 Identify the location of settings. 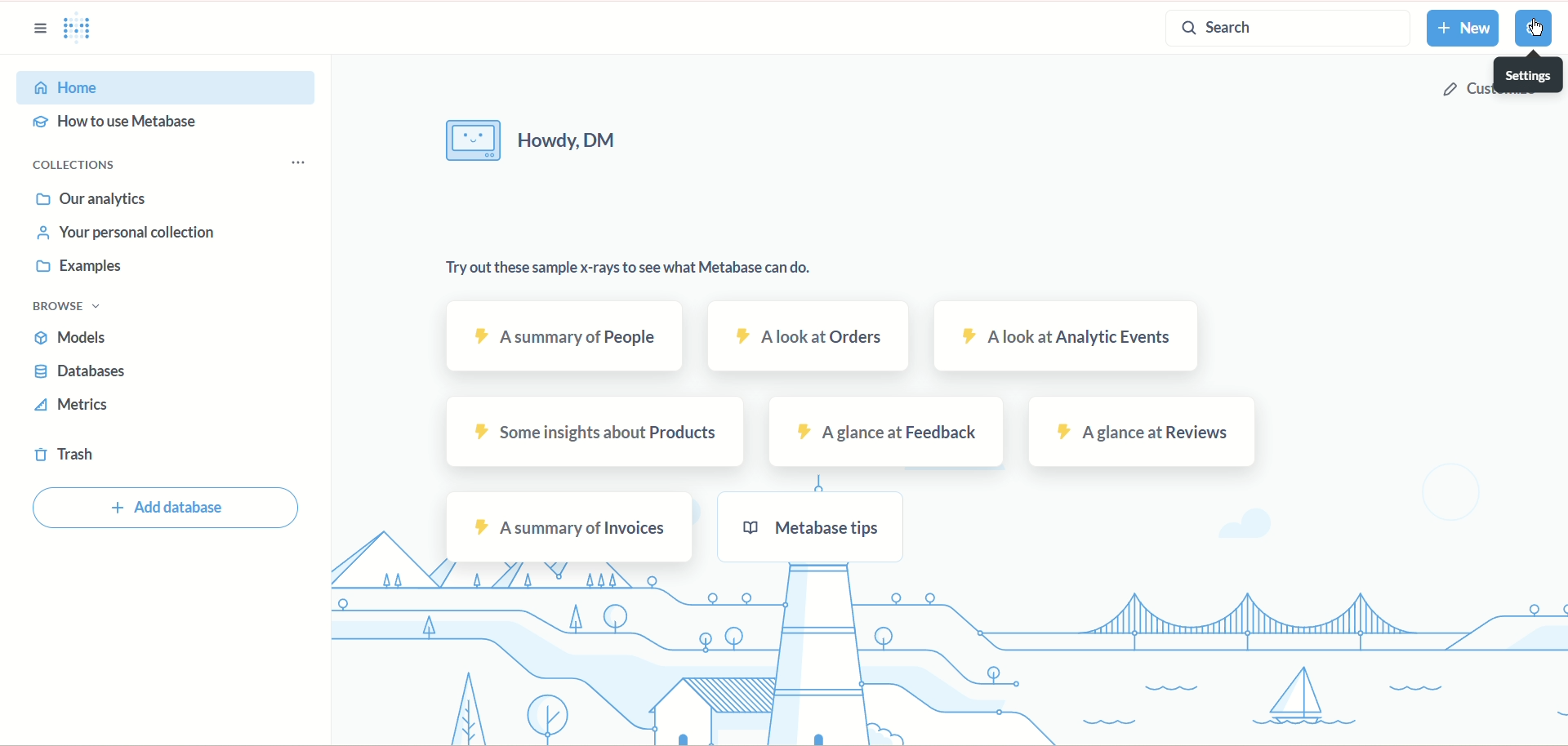
(1529, 77).